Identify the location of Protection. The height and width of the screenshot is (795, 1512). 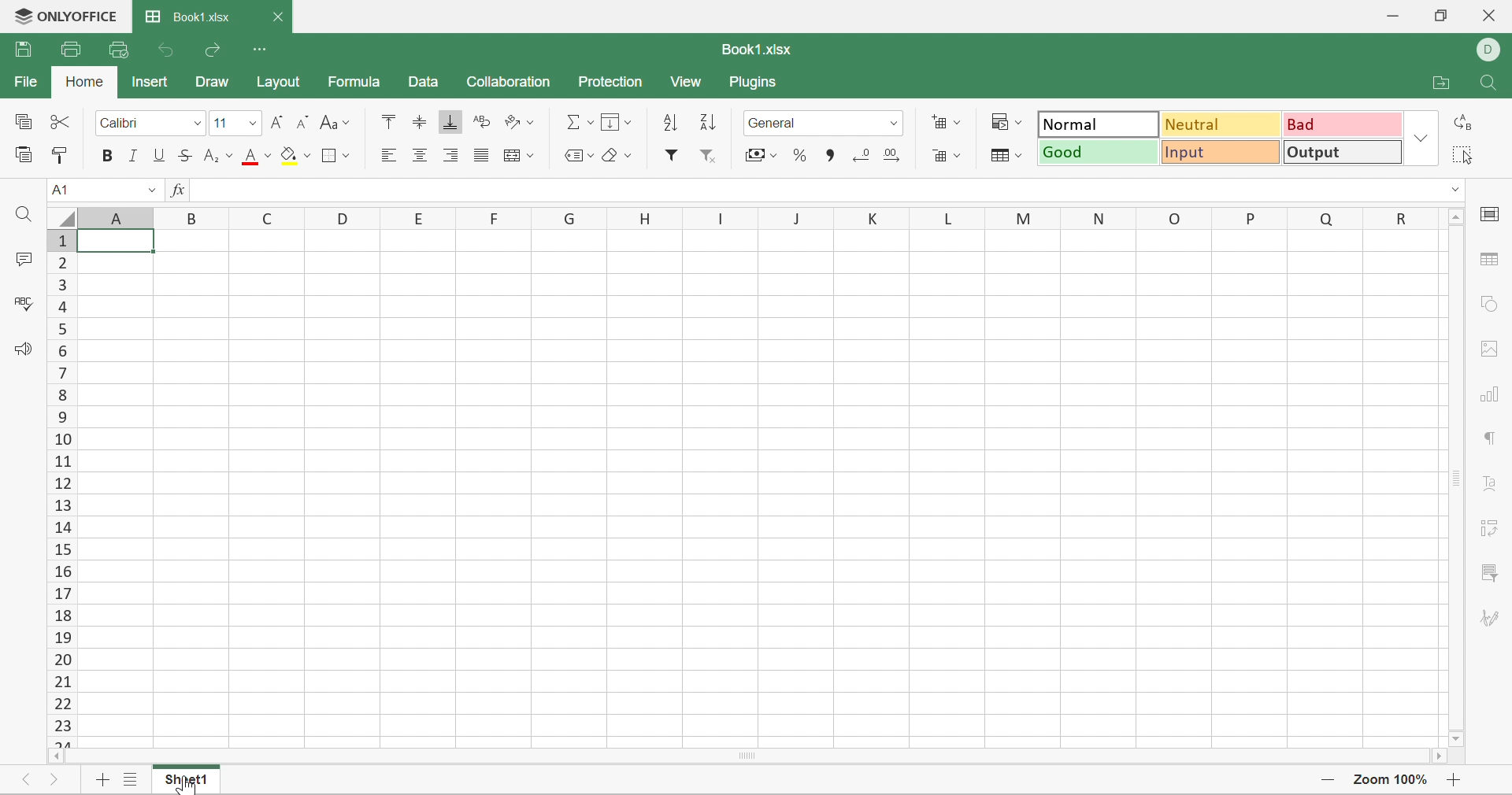
(609, 83).